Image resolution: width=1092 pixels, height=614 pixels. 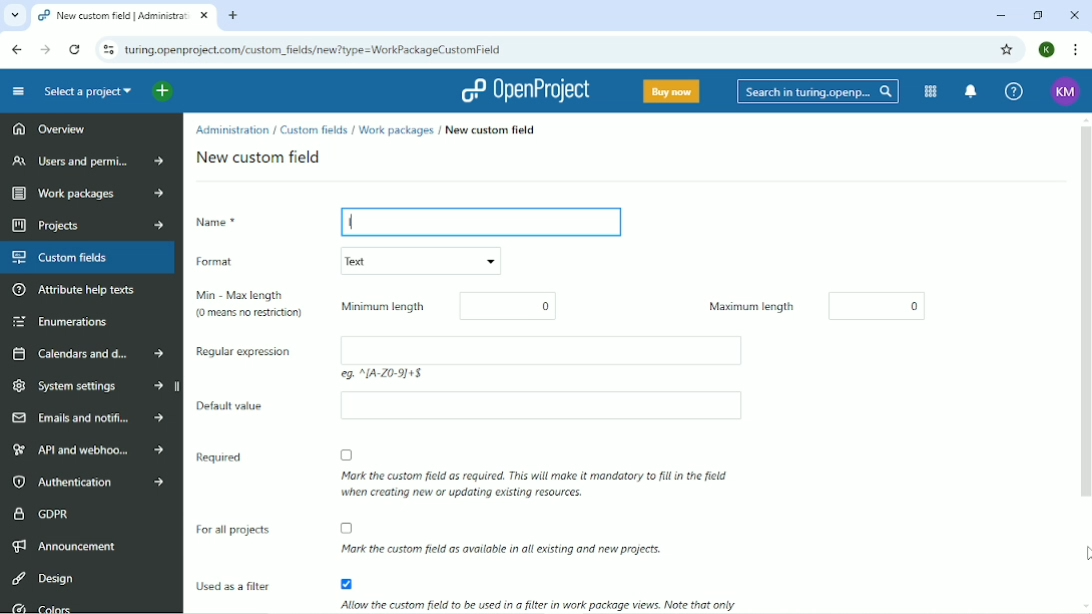 What do you see at coordinates (236, 593) in the screenshot?
I see `Used as a filter` at bounding box center [236, 593].